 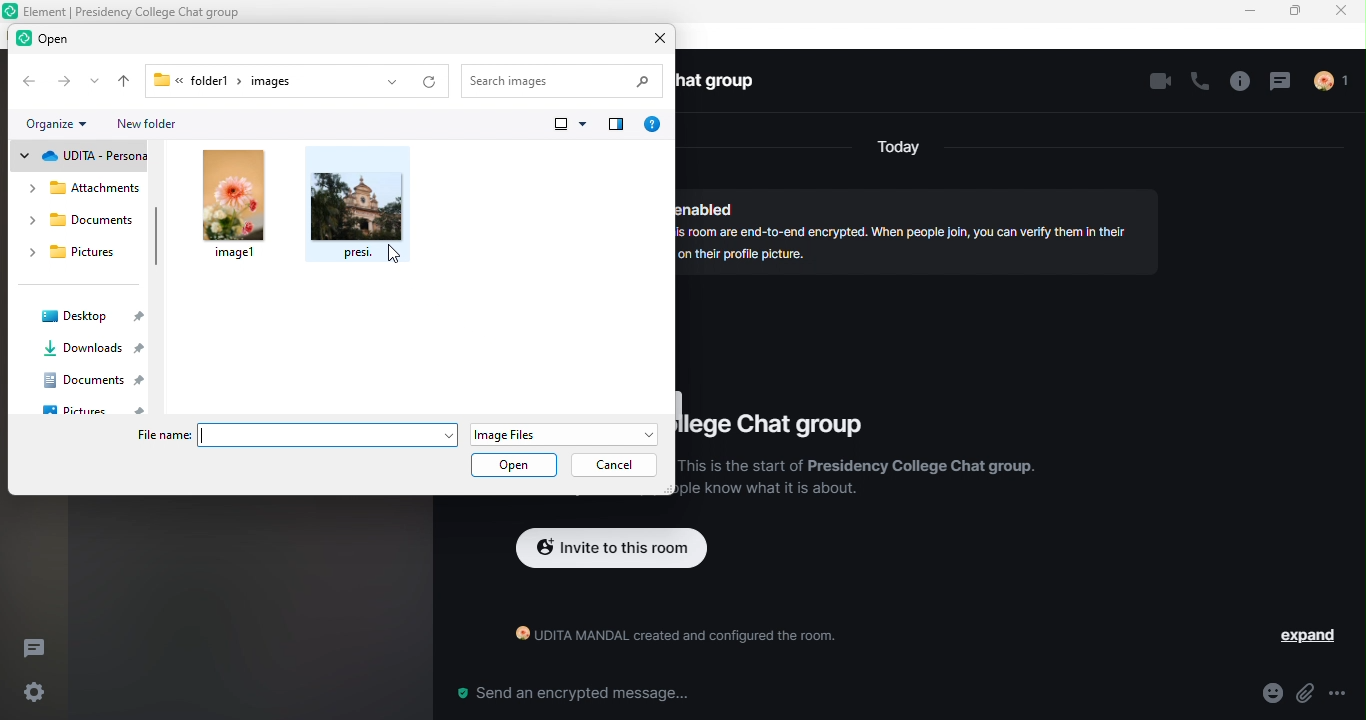 What do you see at coordinates (79, 224) in the screenshot?
I see `documents` at bounding box center [79, 224].